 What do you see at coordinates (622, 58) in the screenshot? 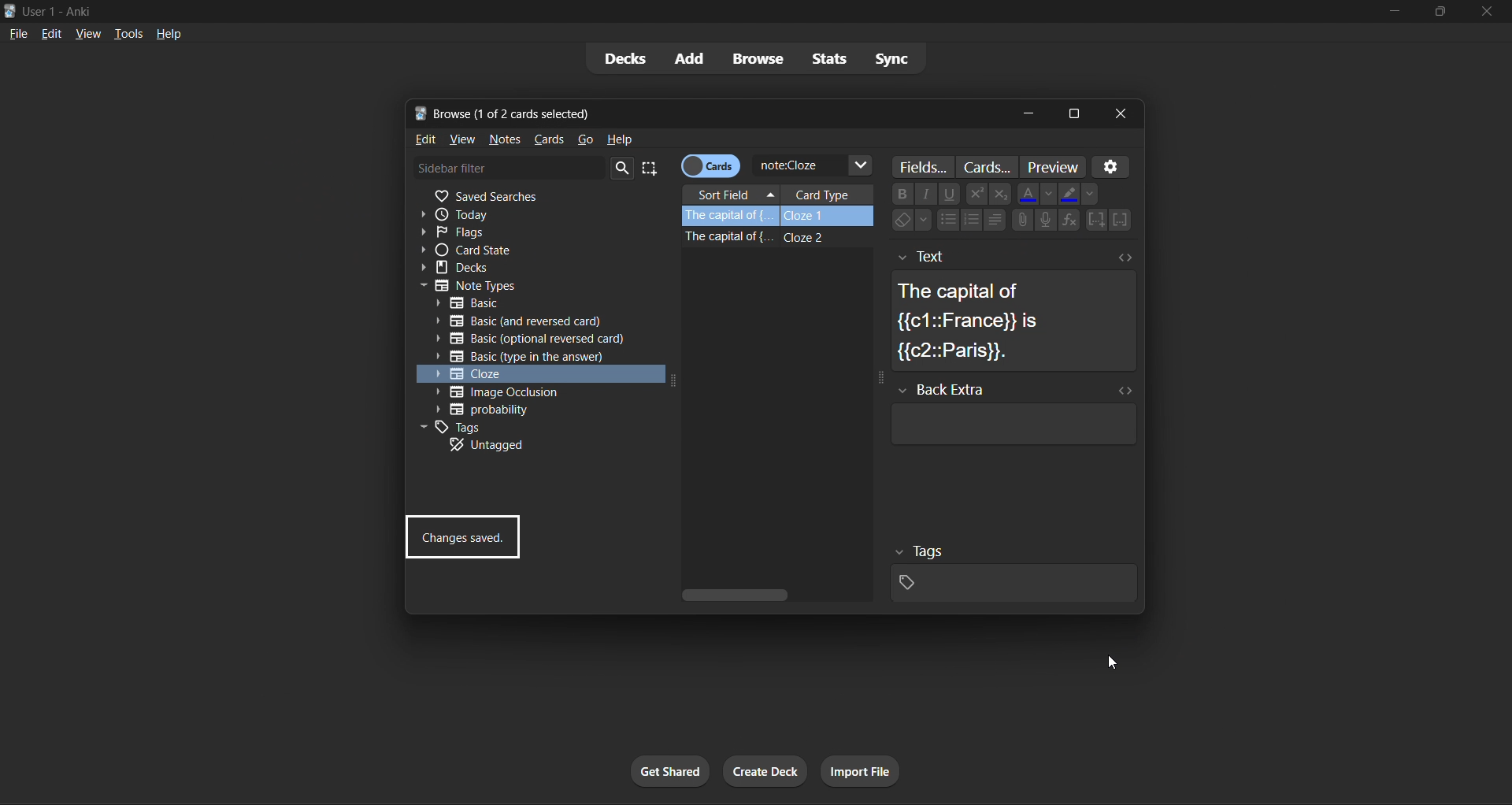
I see `decks` at bounding box center [622, 58].